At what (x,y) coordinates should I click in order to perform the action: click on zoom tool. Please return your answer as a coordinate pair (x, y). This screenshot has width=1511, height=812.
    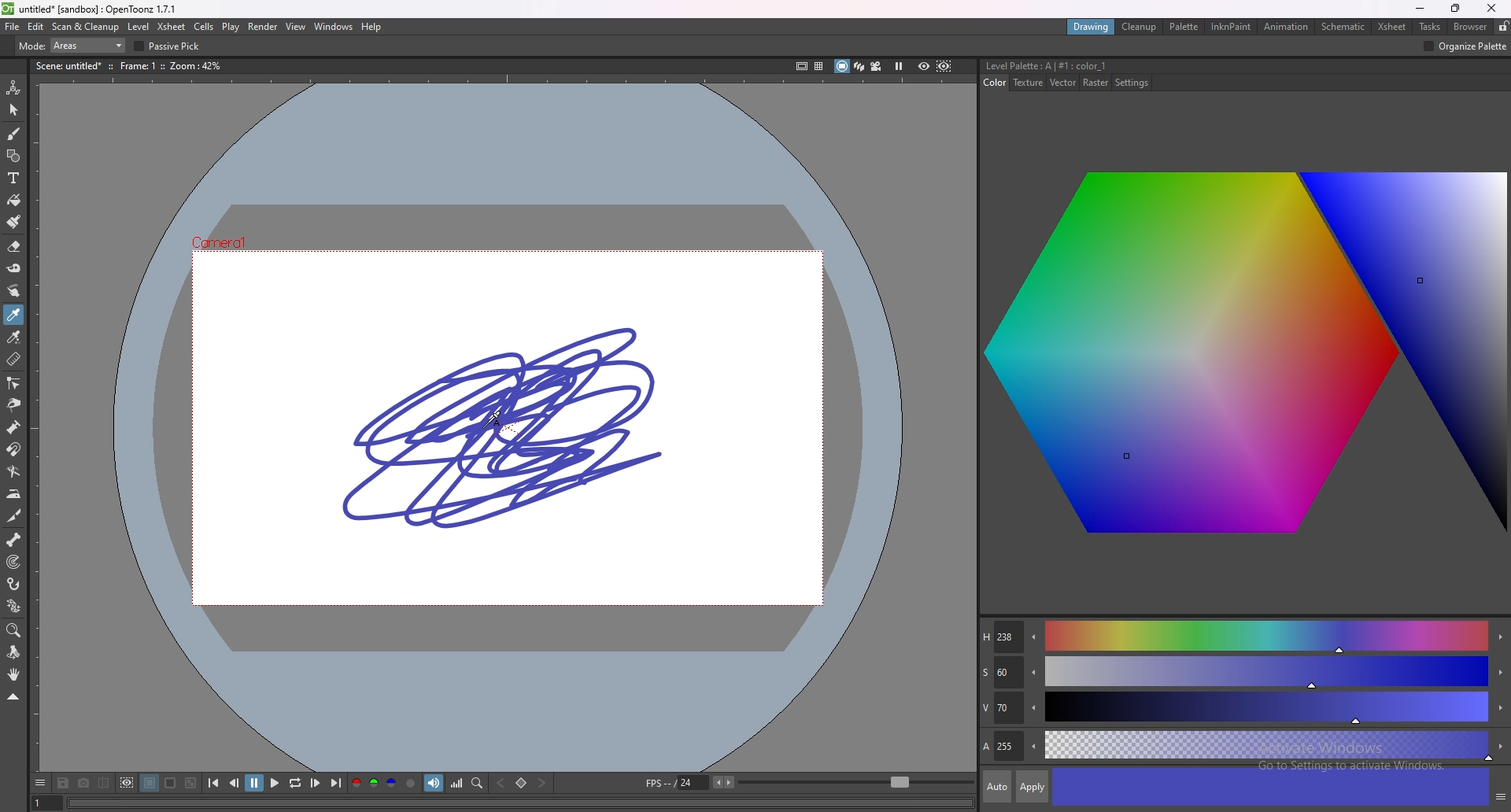
    Looking at the image, I should click on (14, 631).